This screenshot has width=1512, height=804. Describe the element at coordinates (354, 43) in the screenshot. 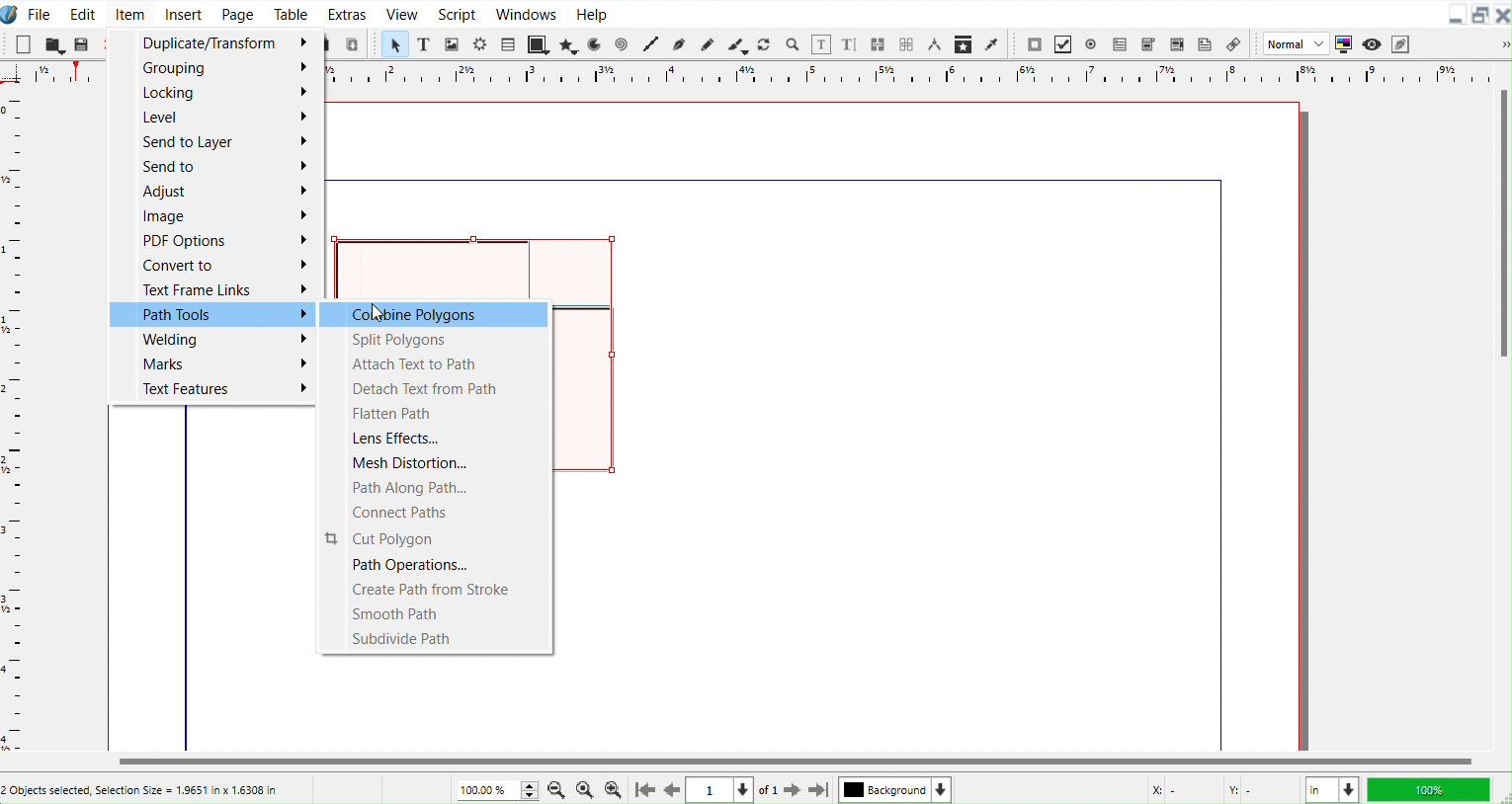

I see `Paste` at that location.